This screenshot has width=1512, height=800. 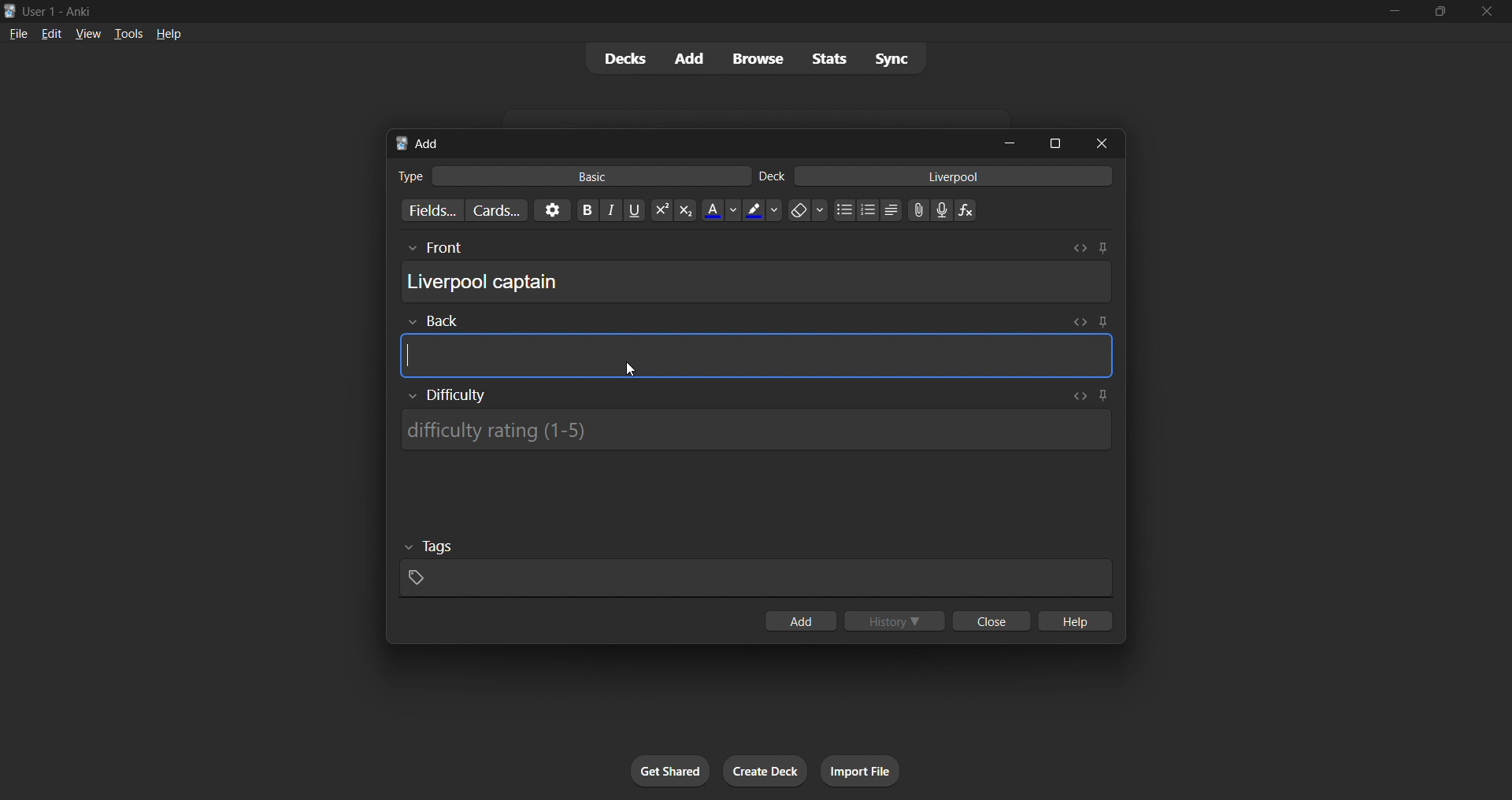 I want to click on Toggle HTML editor, so click(x=1080, y=396).